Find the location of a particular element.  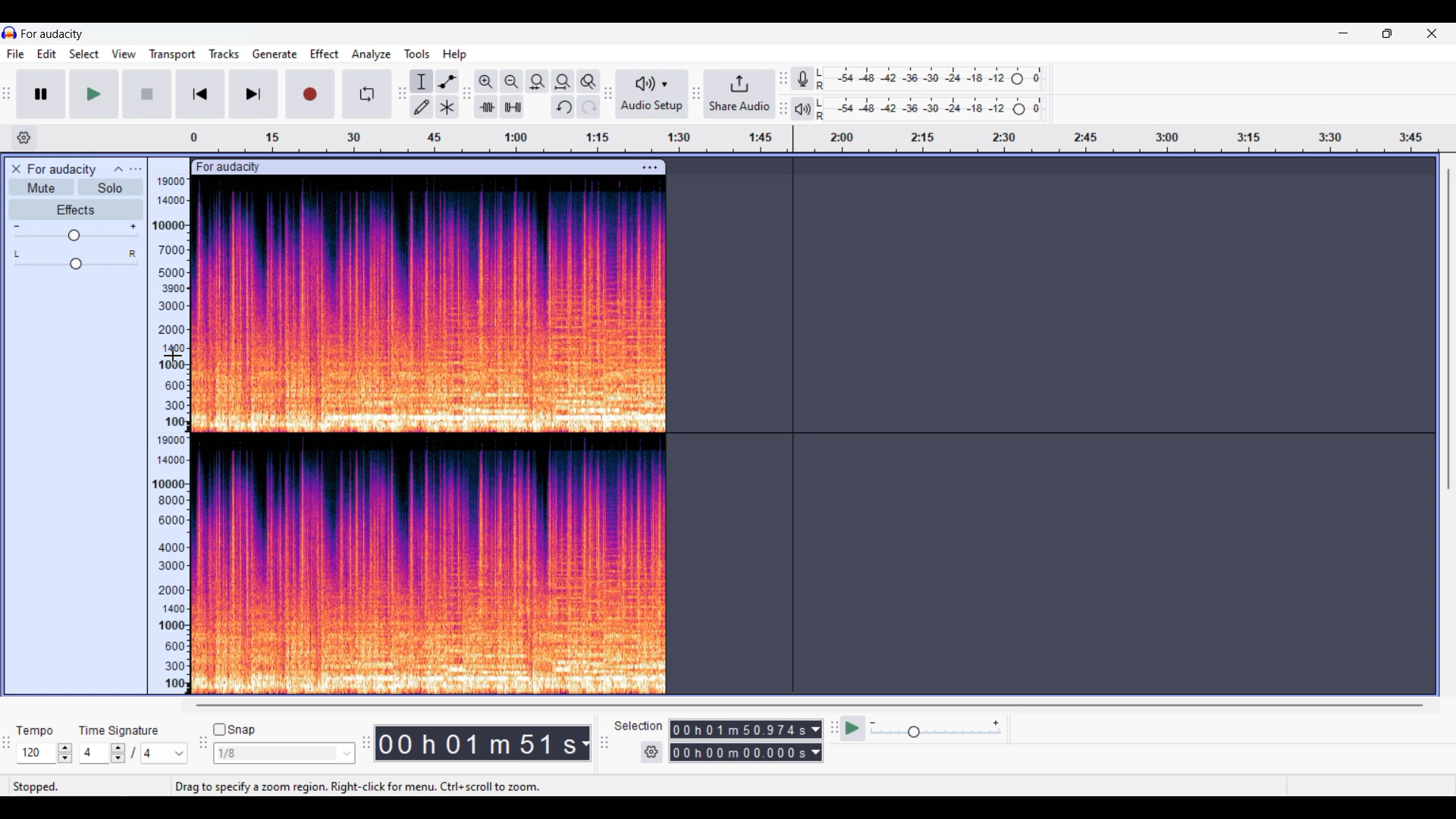

Pause is located at coordinates (42, 94).